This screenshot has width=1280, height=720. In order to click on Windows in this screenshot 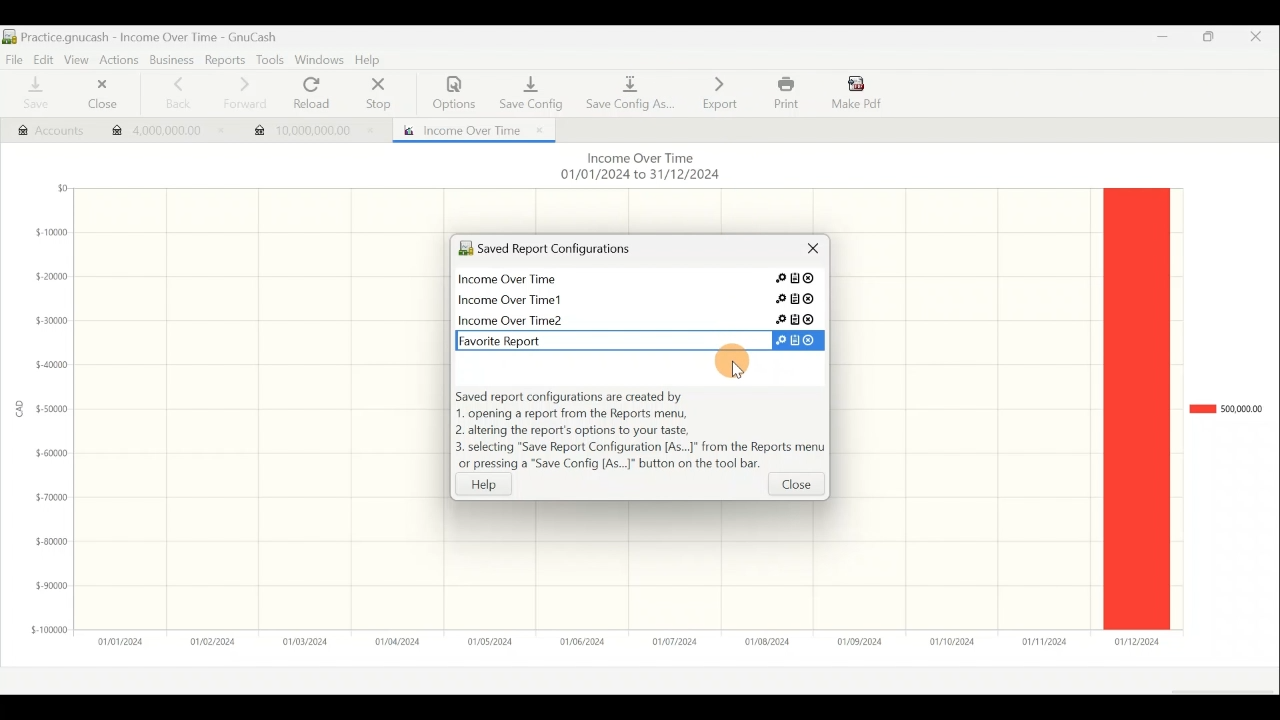, I will do `click(320, 61)`.